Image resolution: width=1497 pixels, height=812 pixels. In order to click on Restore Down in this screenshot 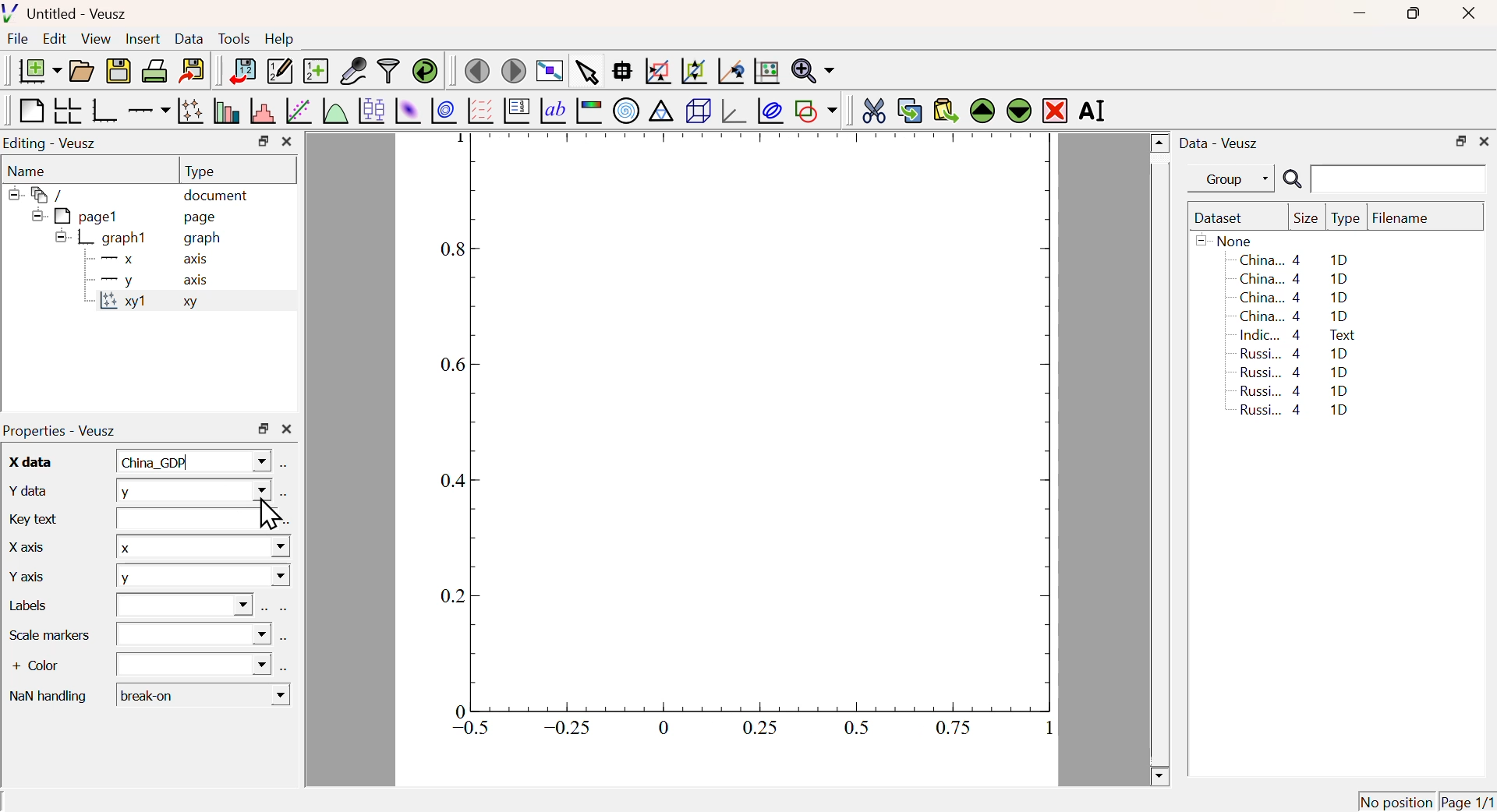, I will do `click(263, 141)`.